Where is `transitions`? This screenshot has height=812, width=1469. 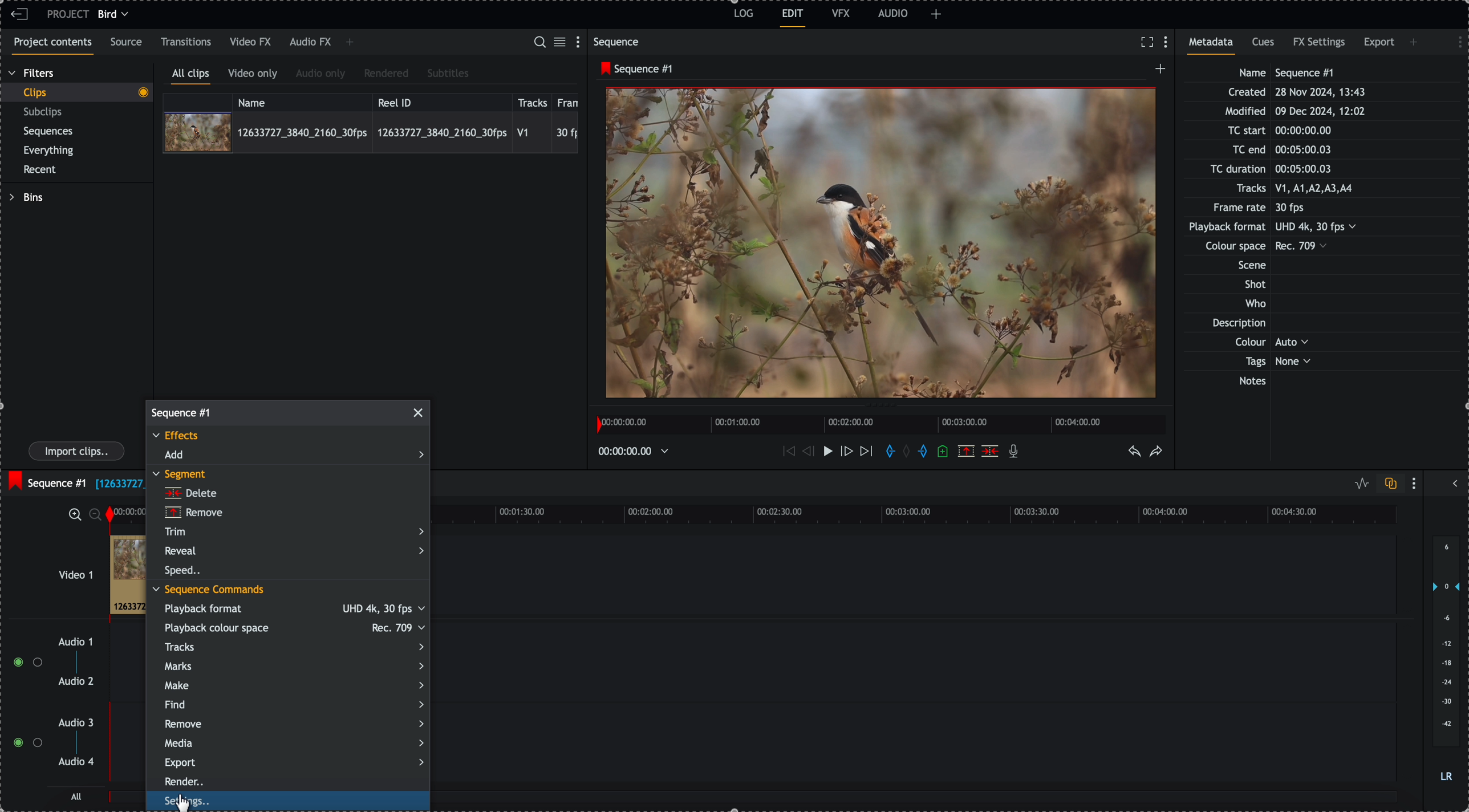 transitions is located at coordinates (186, 42).